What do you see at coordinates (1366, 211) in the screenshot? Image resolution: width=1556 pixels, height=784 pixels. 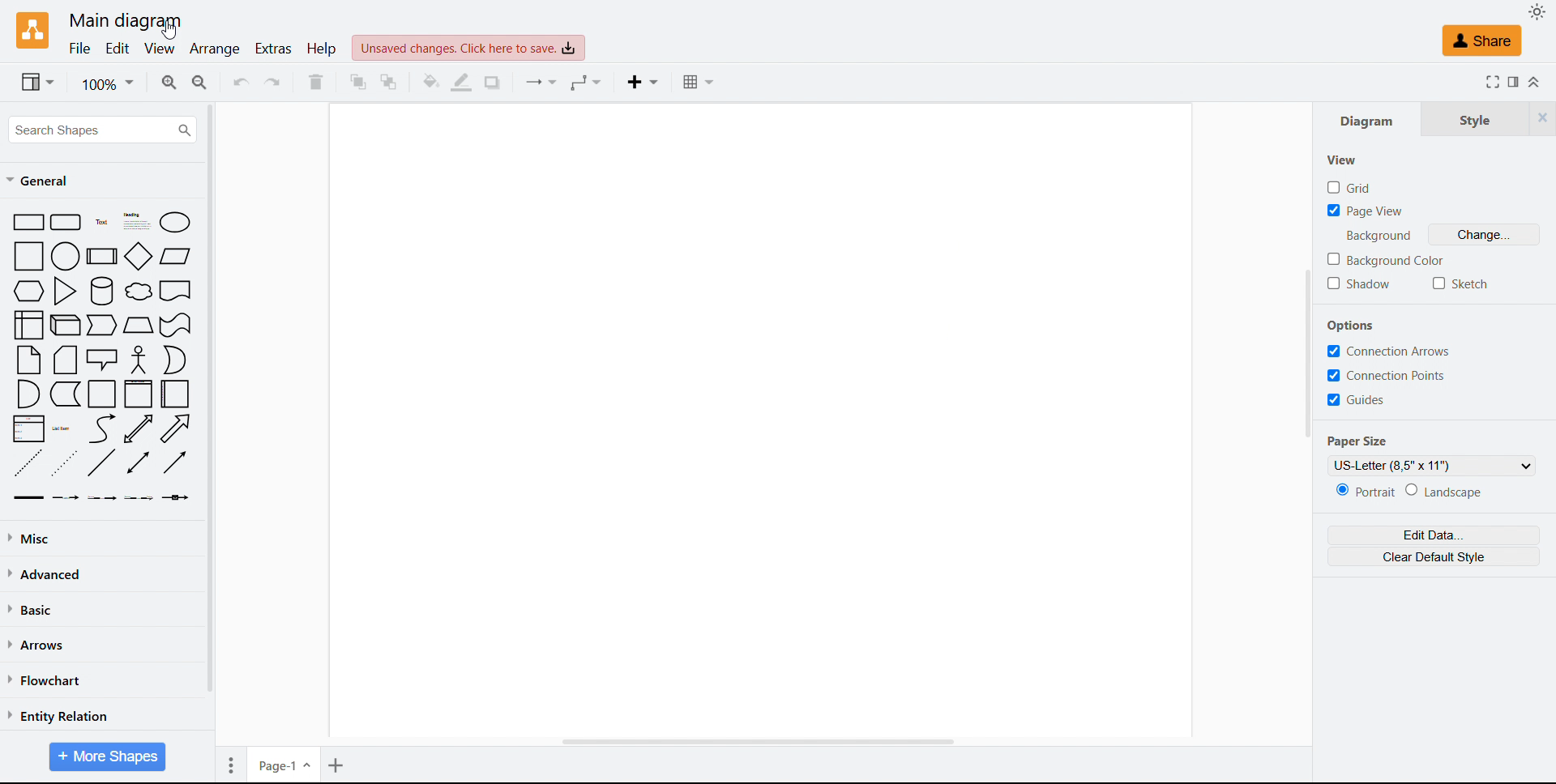 I see `Page view ` at bounding box center [1366, 211].